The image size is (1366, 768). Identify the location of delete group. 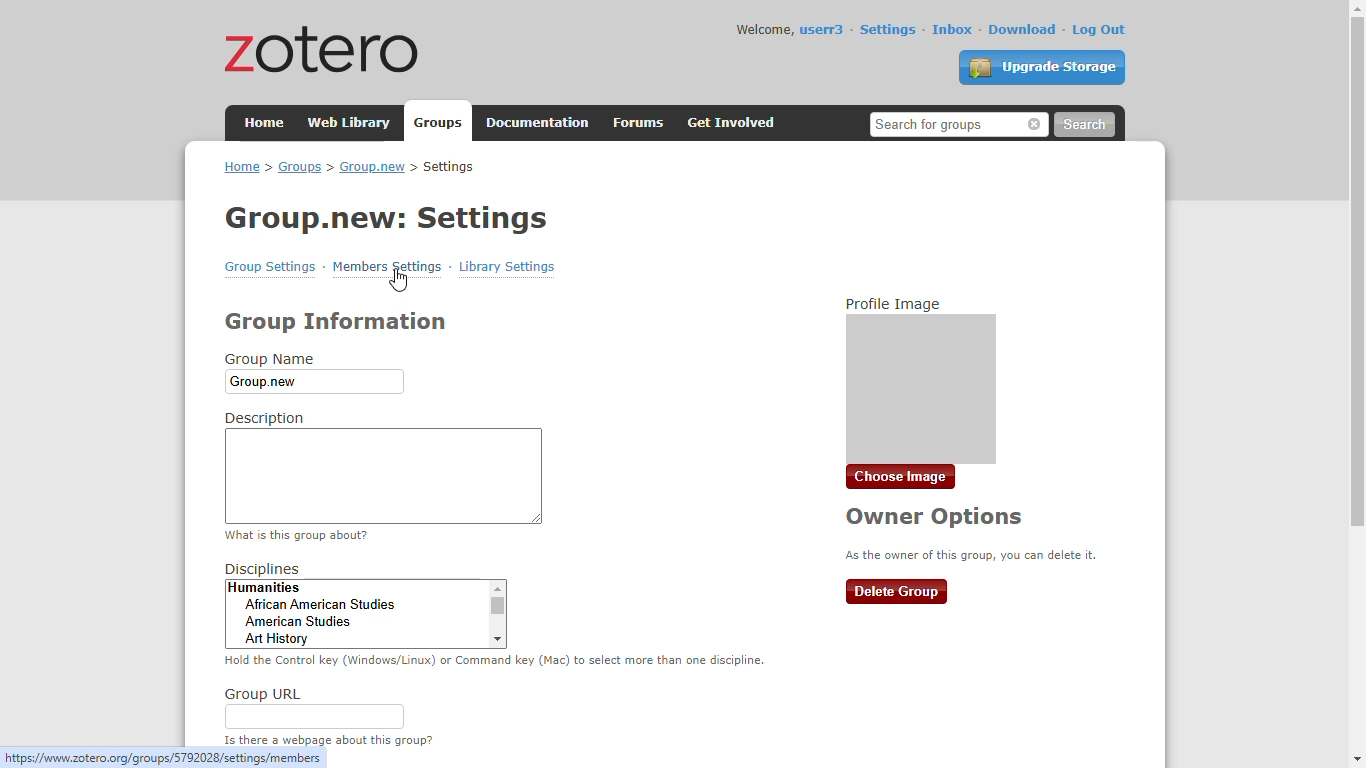
(897, 592).